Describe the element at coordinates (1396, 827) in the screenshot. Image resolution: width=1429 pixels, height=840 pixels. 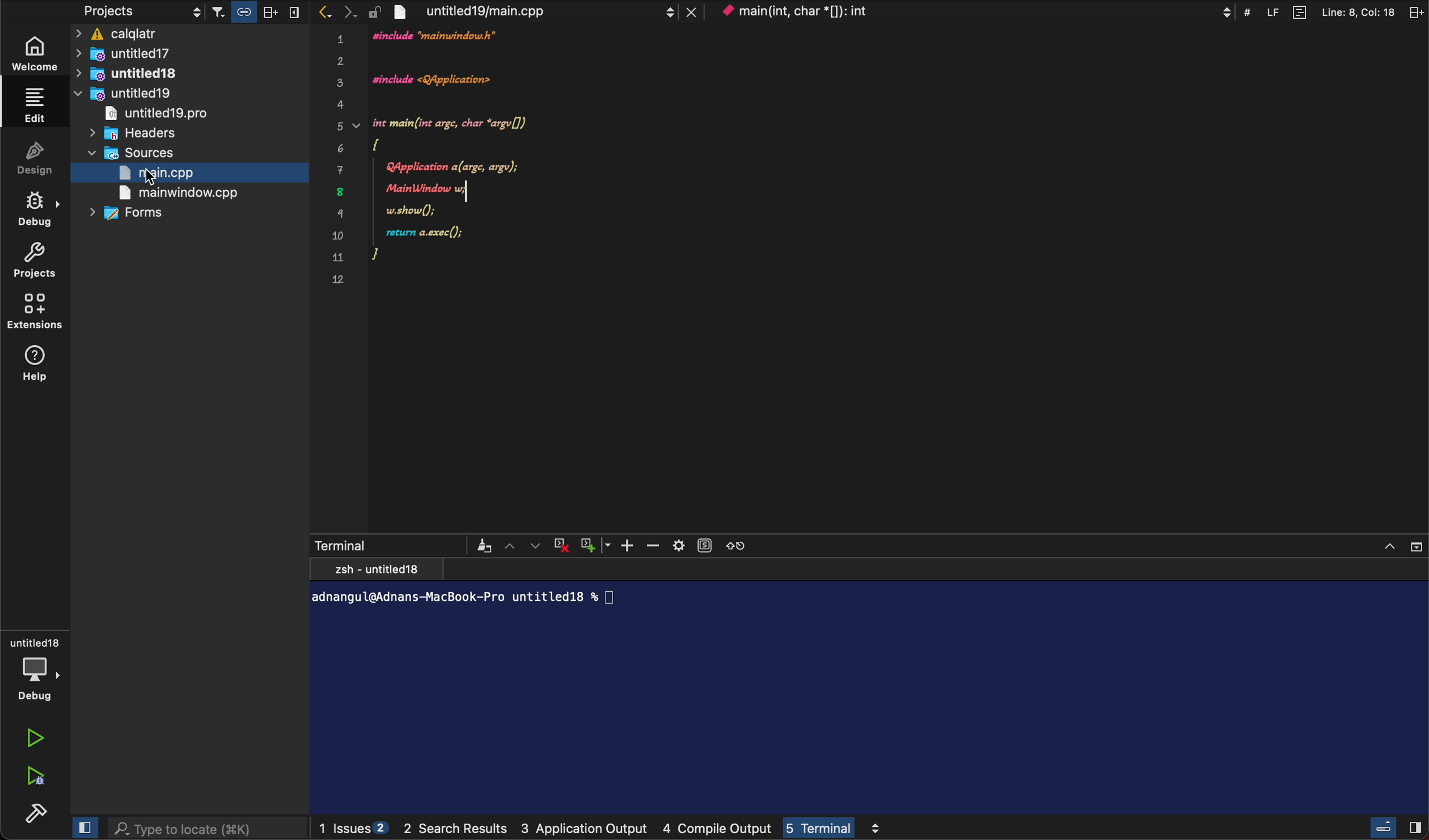
I see `close slide Bar` at that location.